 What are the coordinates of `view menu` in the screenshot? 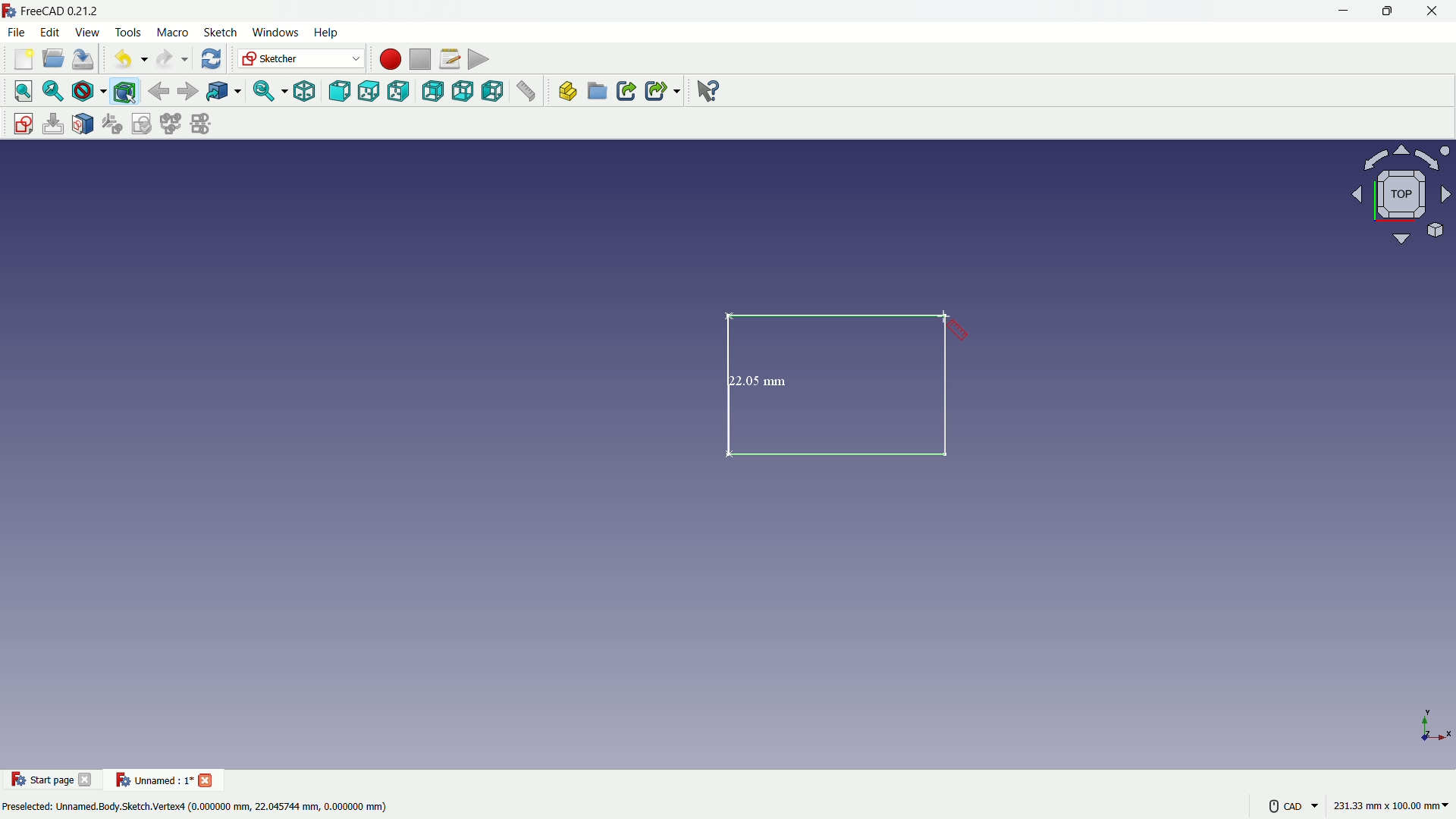 It's located at (86, 33).